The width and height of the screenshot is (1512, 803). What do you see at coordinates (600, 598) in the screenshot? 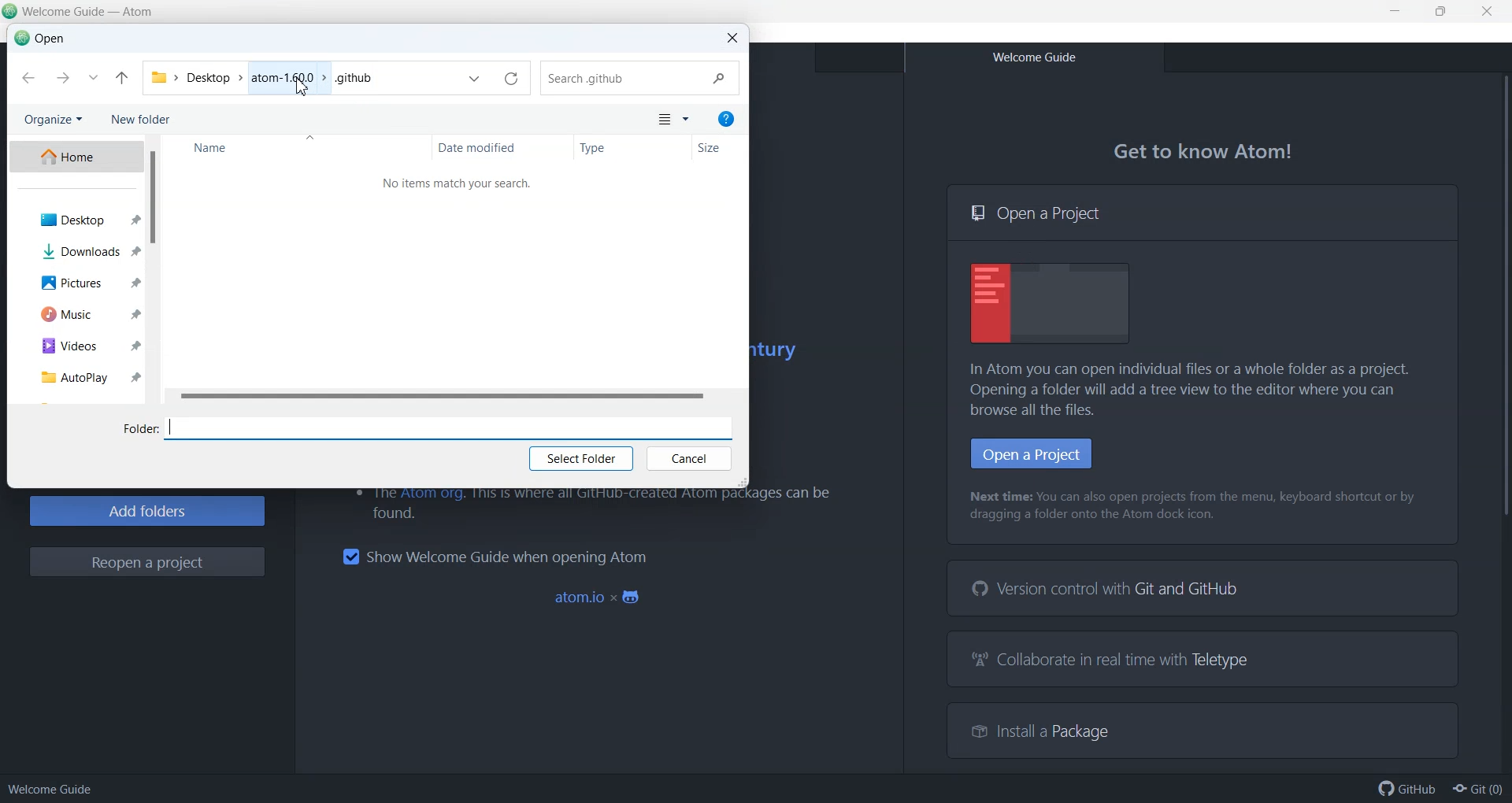
I see `atom.io` at bounding box center [600, 598].